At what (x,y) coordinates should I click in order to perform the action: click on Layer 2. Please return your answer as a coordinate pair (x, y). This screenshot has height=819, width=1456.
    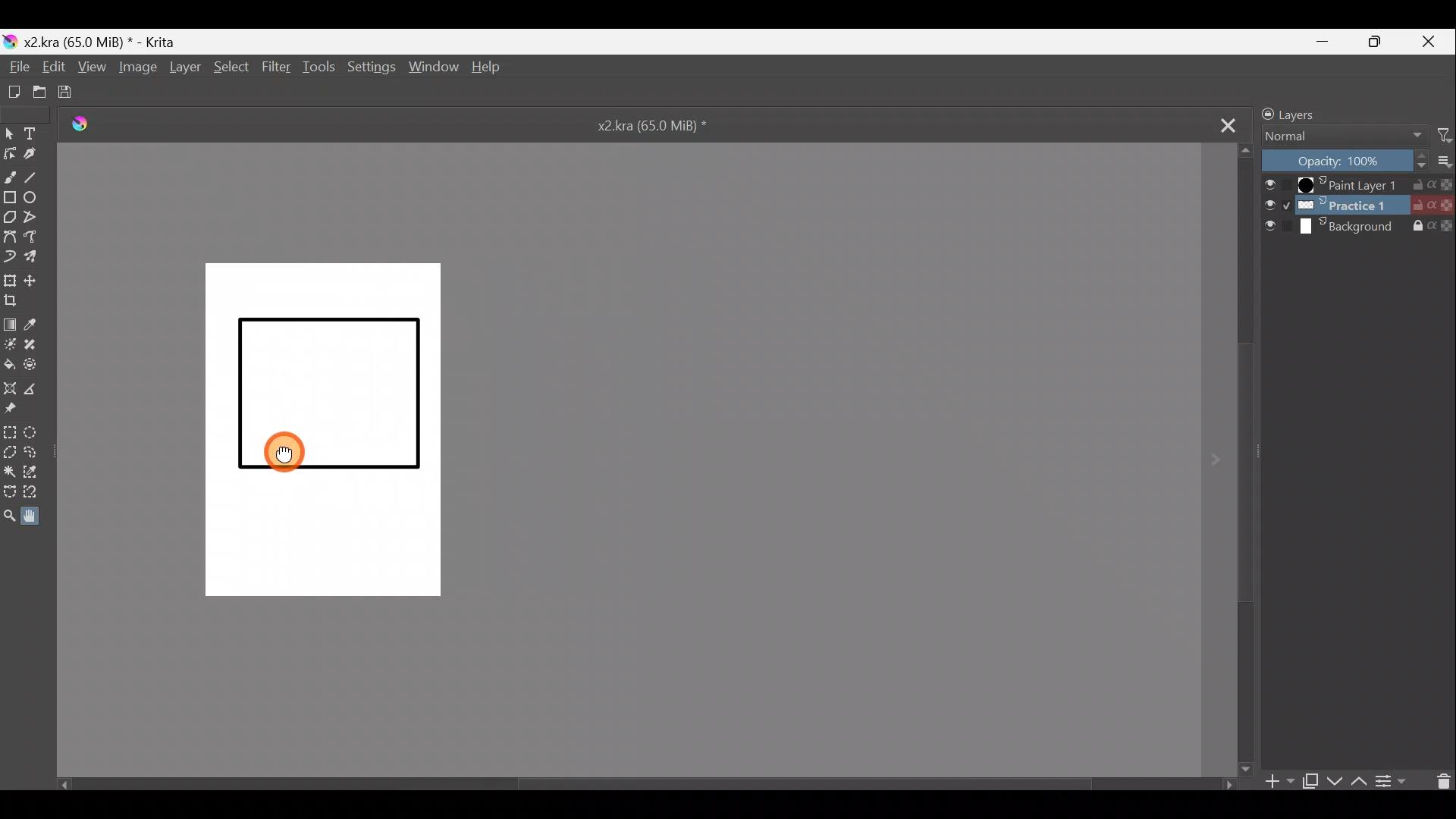
    Looking at the image, I should click on (1357, 207).